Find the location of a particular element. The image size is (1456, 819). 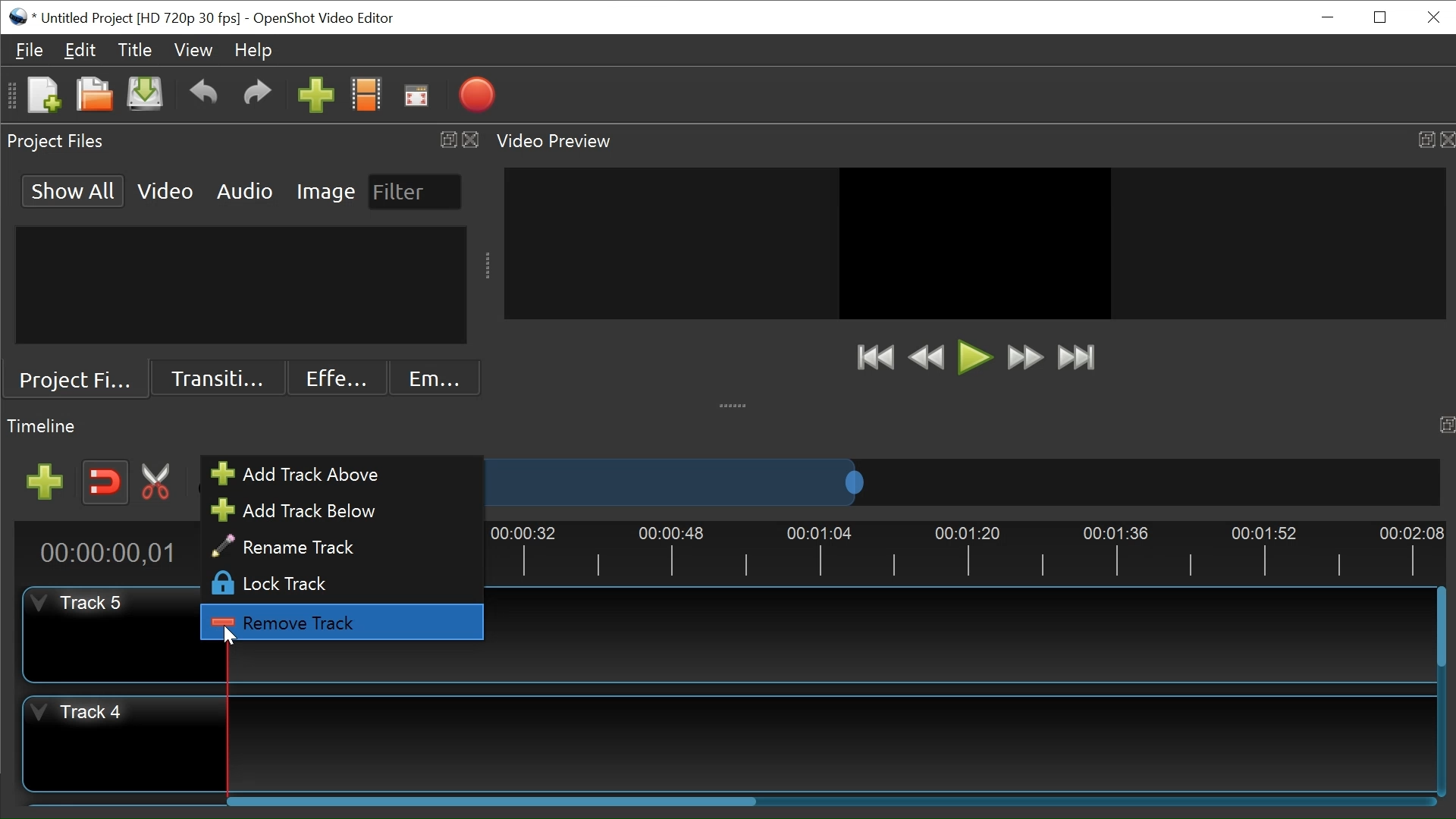

Open File is located at coordinates (92, 96).